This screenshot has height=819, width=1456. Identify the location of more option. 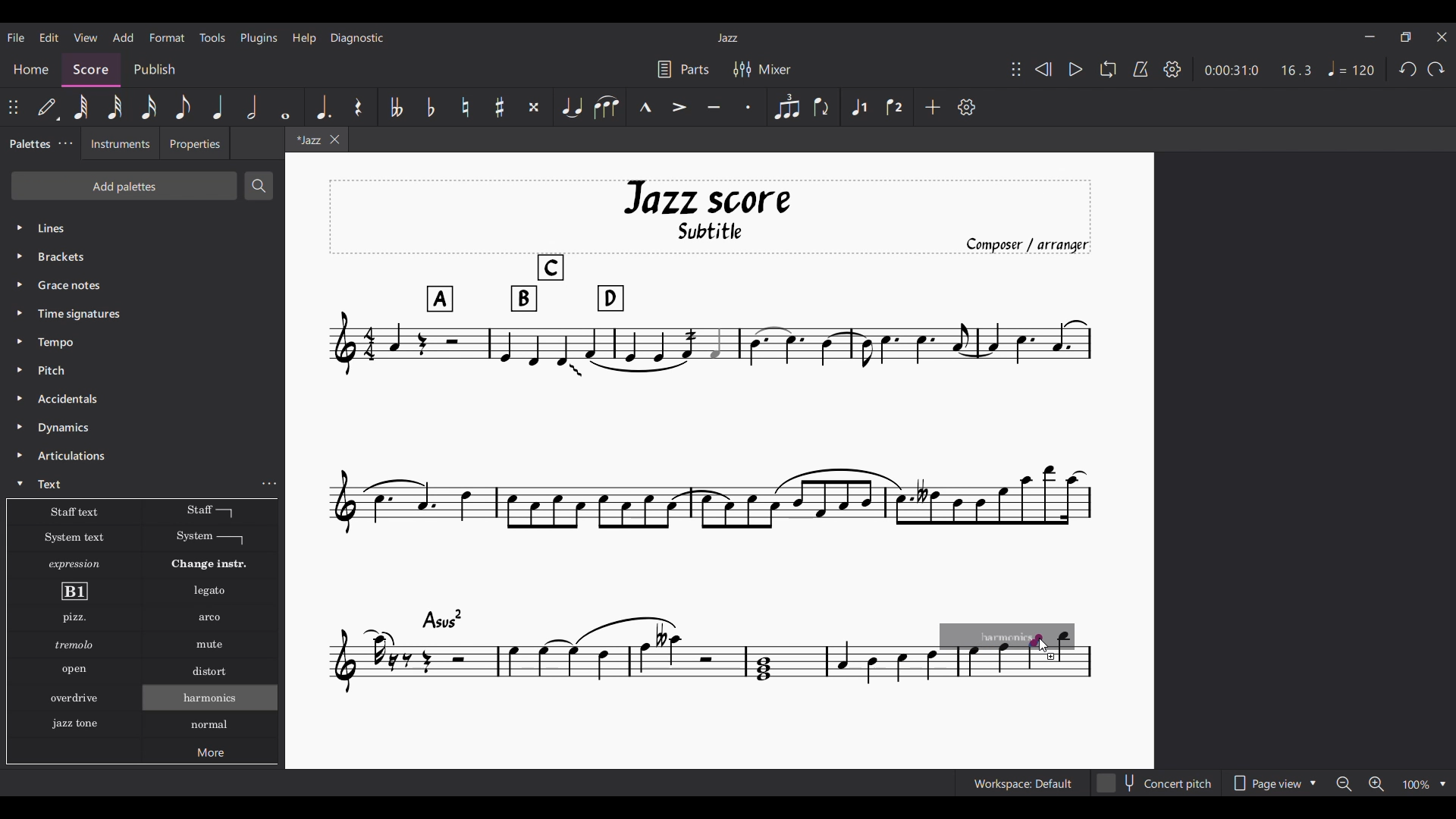
(271, 484).